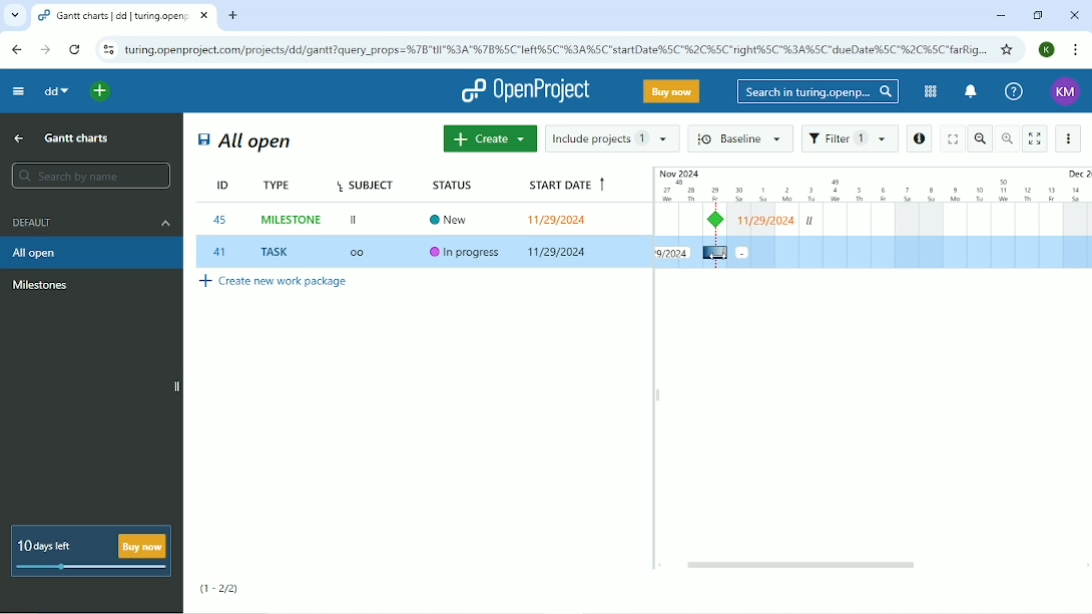 Image resolution: width=1092 pixels, height=614 pixels. Describe the element at coordinates (919, 139) in the screenshot. I see `Open details view` at that location.